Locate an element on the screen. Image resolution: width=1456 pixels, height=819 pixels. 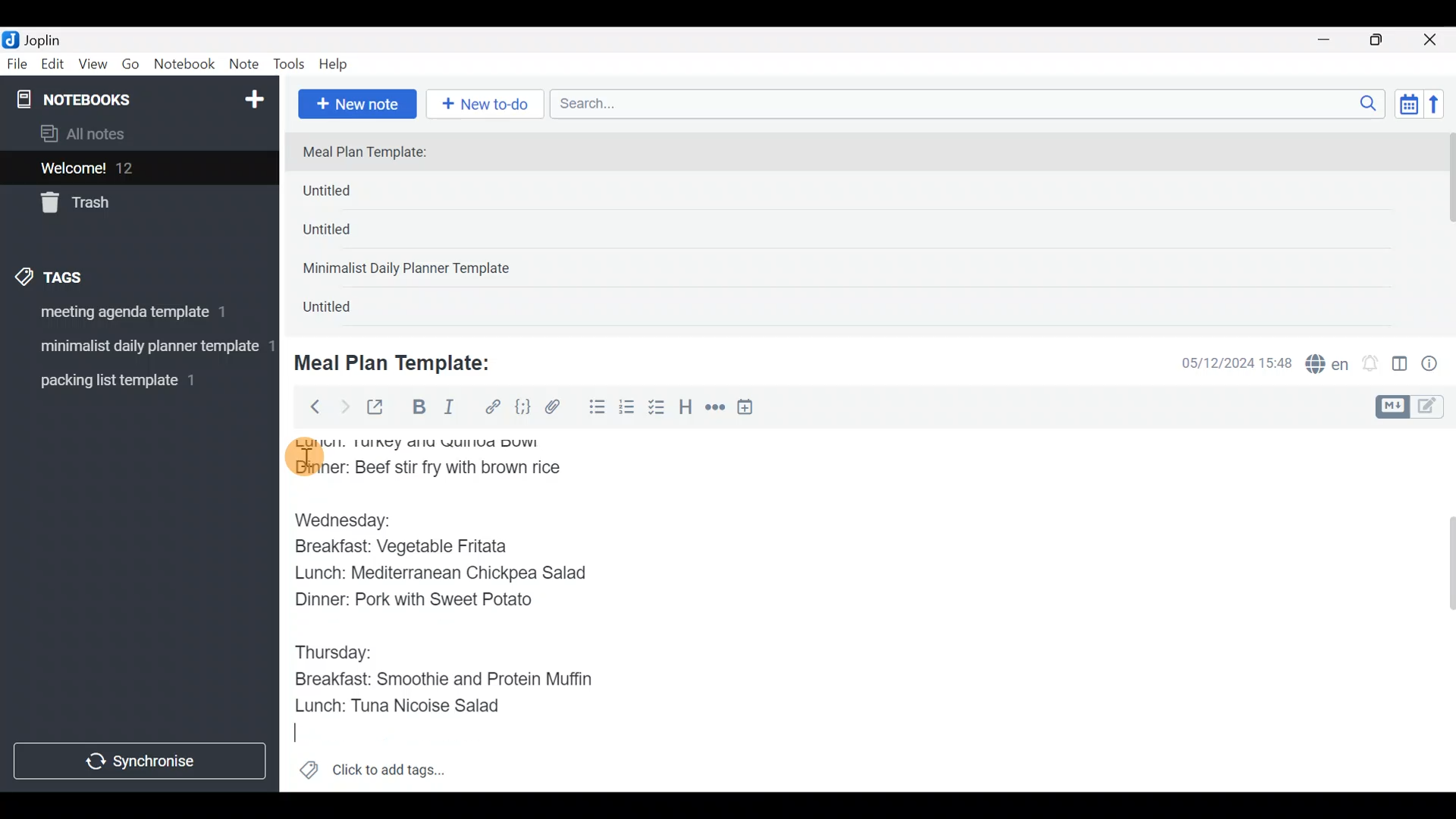
Forward is located at coordinates (344, 406).